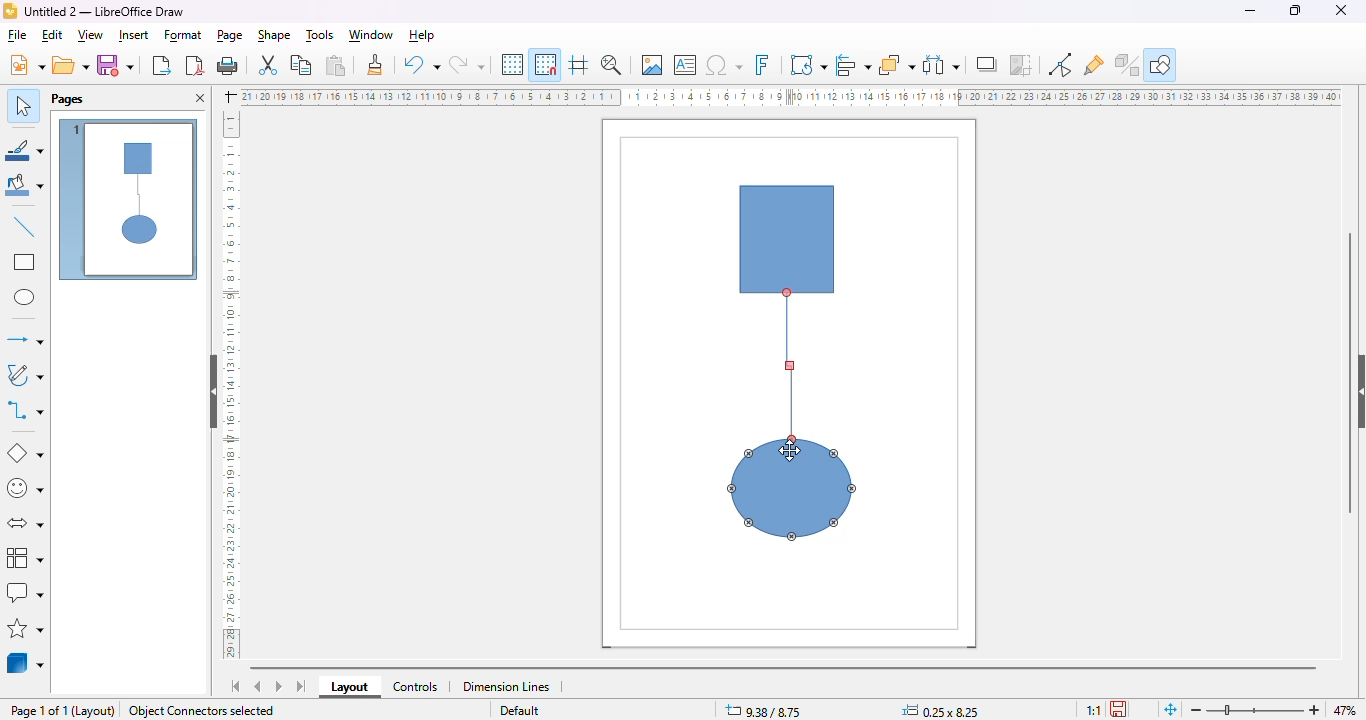  I want to click on display grid, so click(512, 64).